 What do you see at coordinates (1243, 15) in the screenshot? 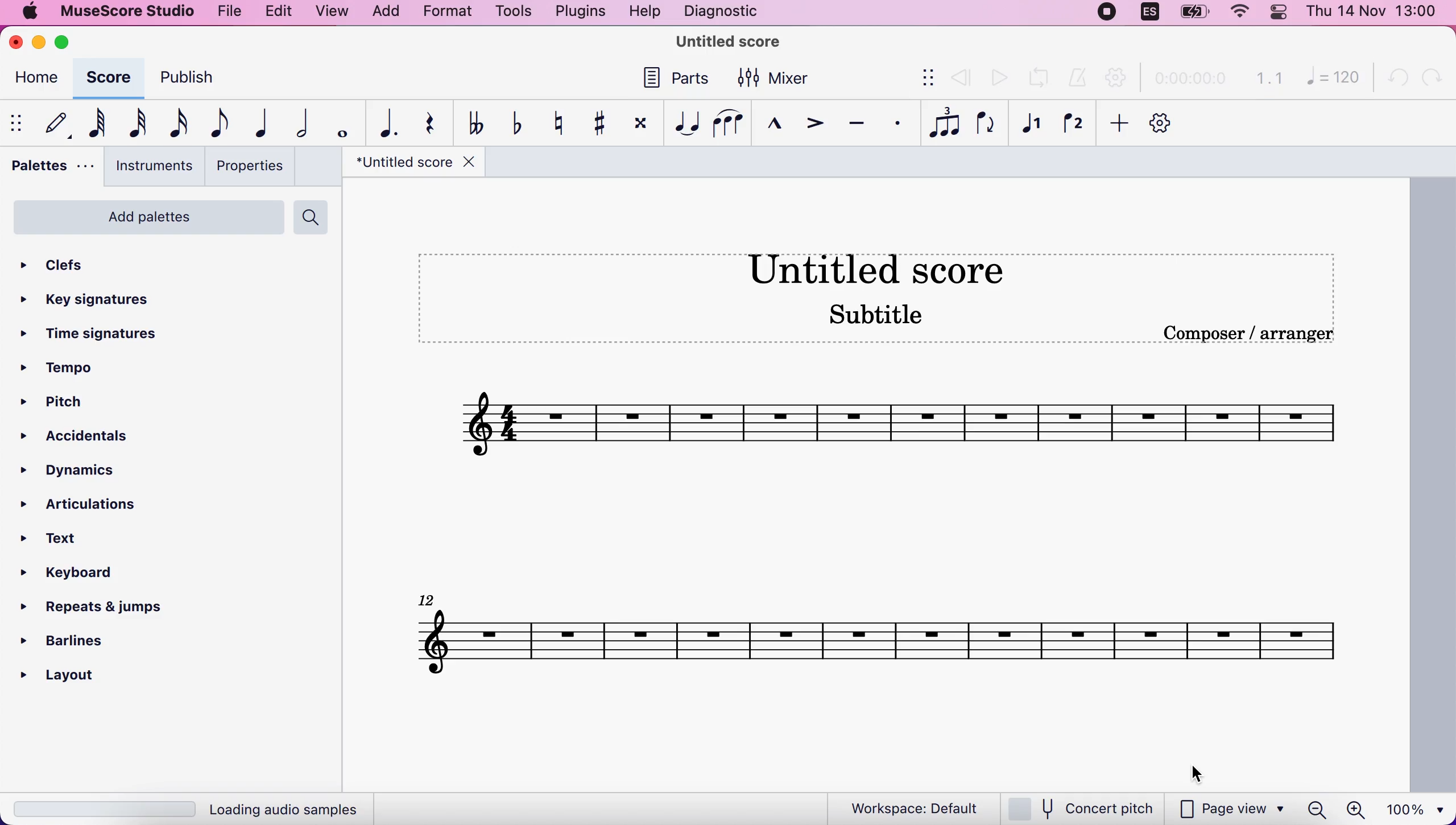
I see `wifi` at bounding box center [1243, 15].